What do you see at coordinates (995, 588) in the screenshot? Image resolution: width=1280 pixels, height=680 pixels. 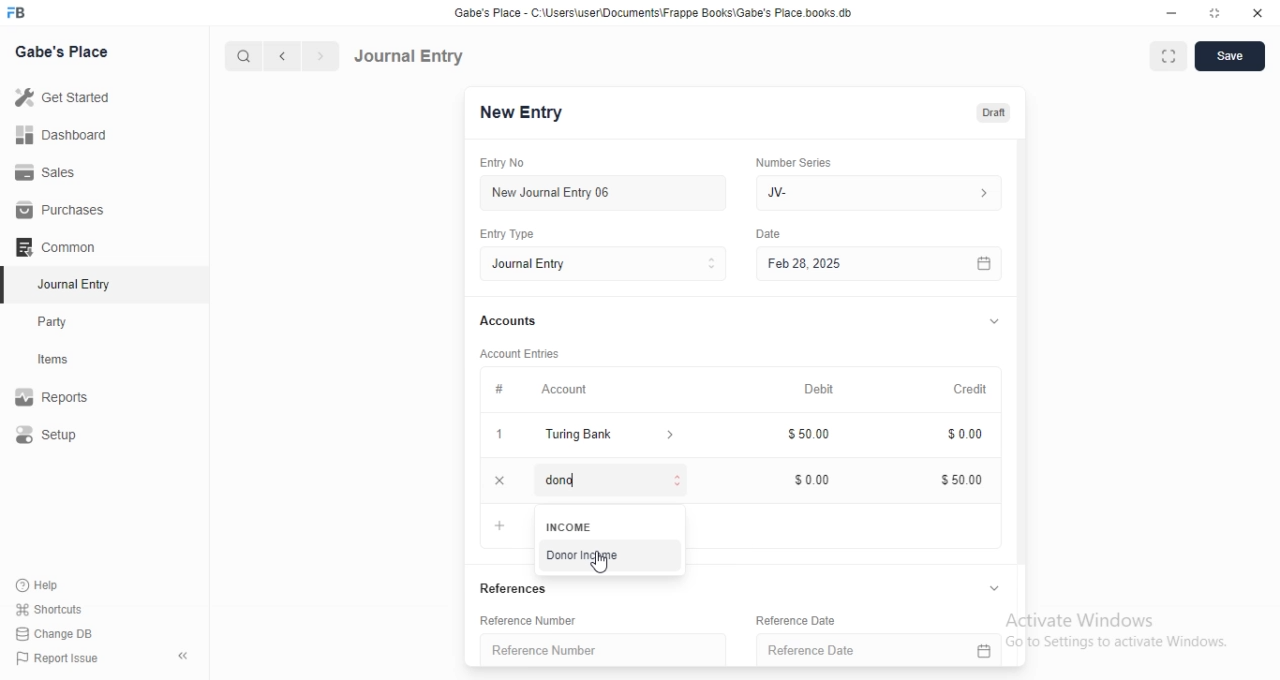 I see `collapse` at bounding box center [995, 588].